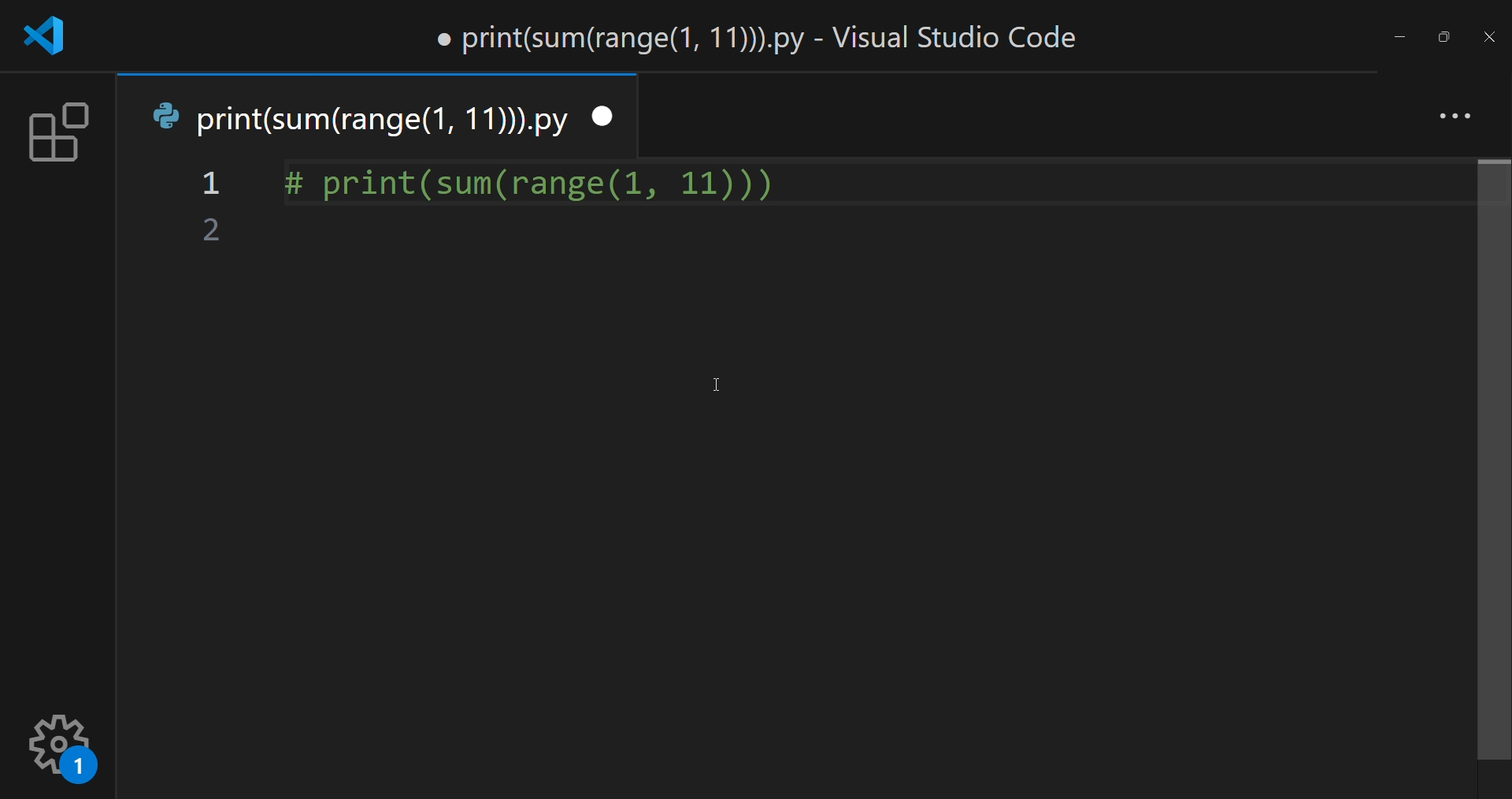 The image size is (1512, 799). What do you see at coordinates (532, 178) in the screenshot?
I see `#print (sum(range(1, 11)))` at bounding box center [532, 178].